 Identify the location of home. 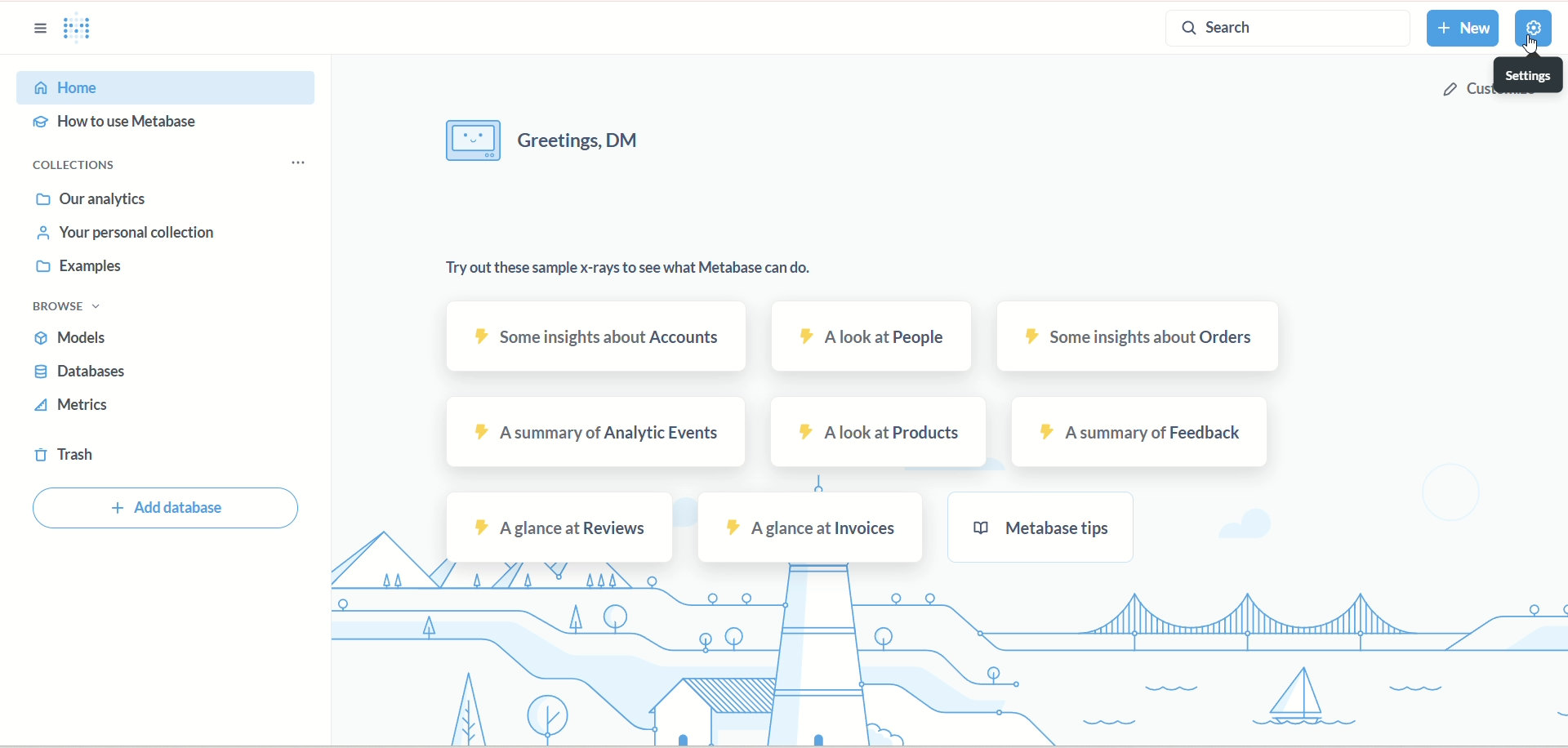
(167, 87).